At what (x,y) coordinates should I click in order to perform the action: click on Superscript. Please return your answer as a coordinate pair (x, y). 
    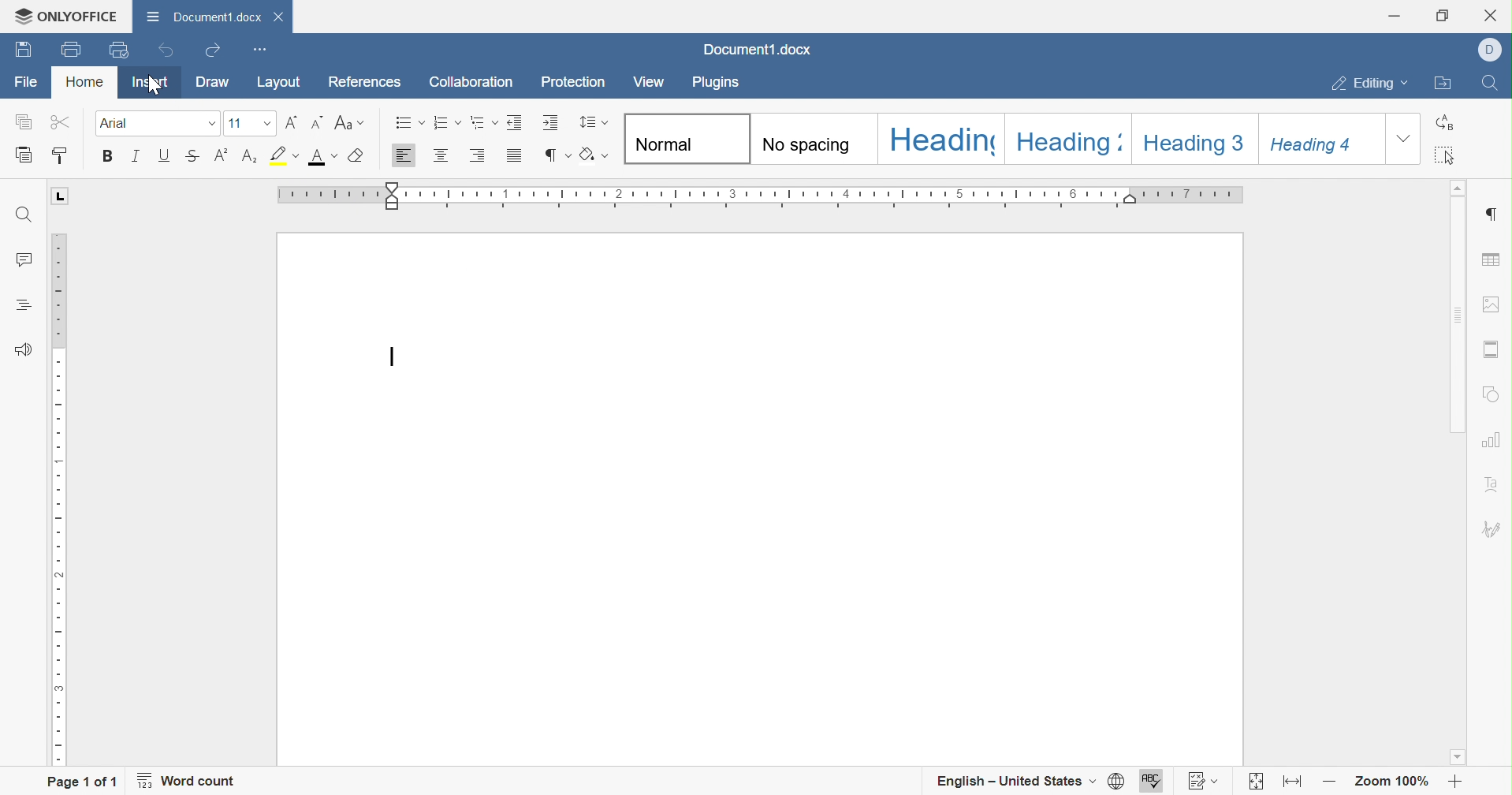
    Looking at the image, I should click on (220, 154).